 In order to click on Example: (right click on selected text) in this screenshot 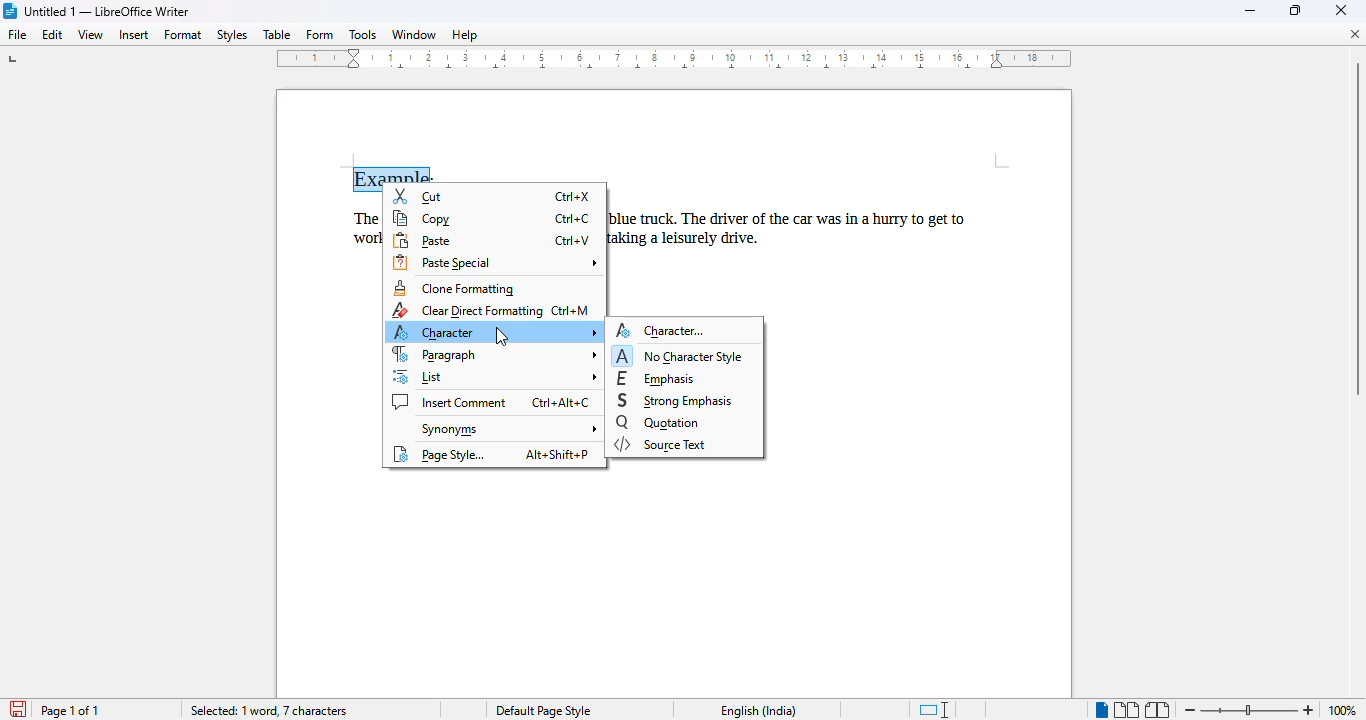, I will do `click(396, 176)`.